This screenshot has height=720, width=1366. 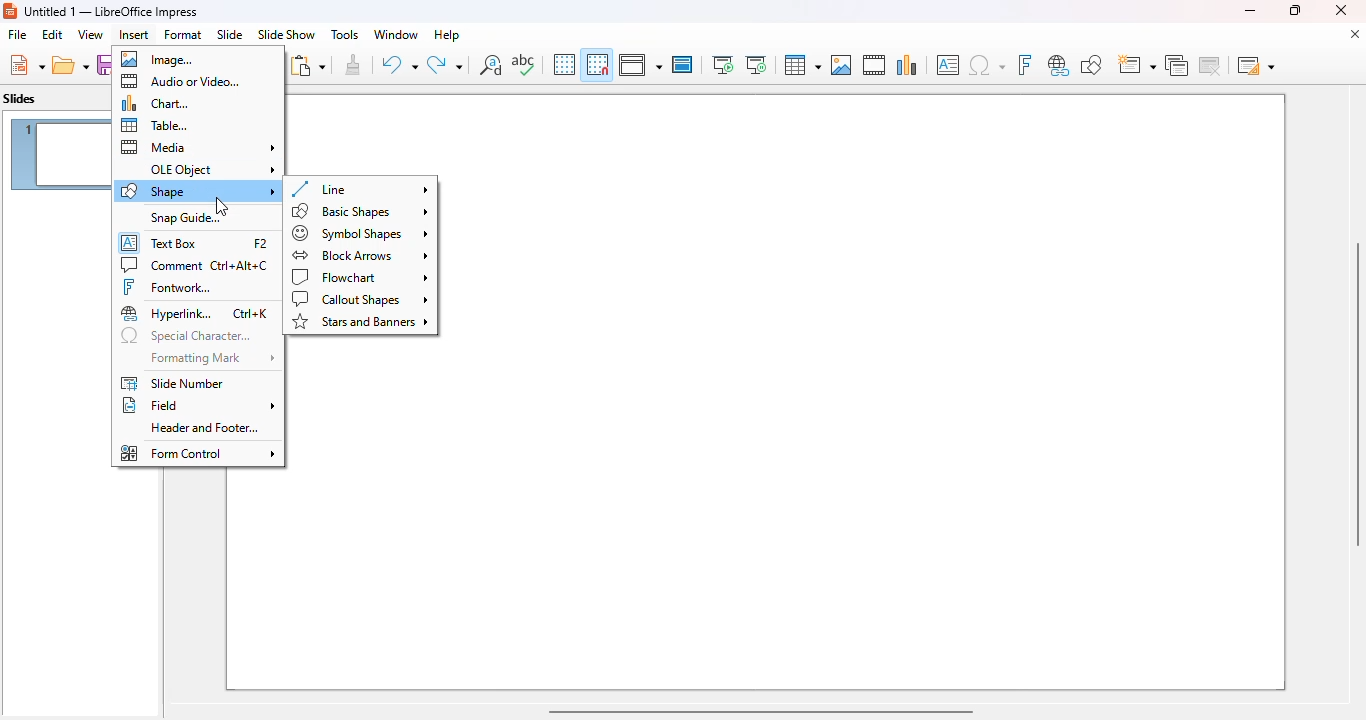 I want to click on chart, so click(x=155, y=103).